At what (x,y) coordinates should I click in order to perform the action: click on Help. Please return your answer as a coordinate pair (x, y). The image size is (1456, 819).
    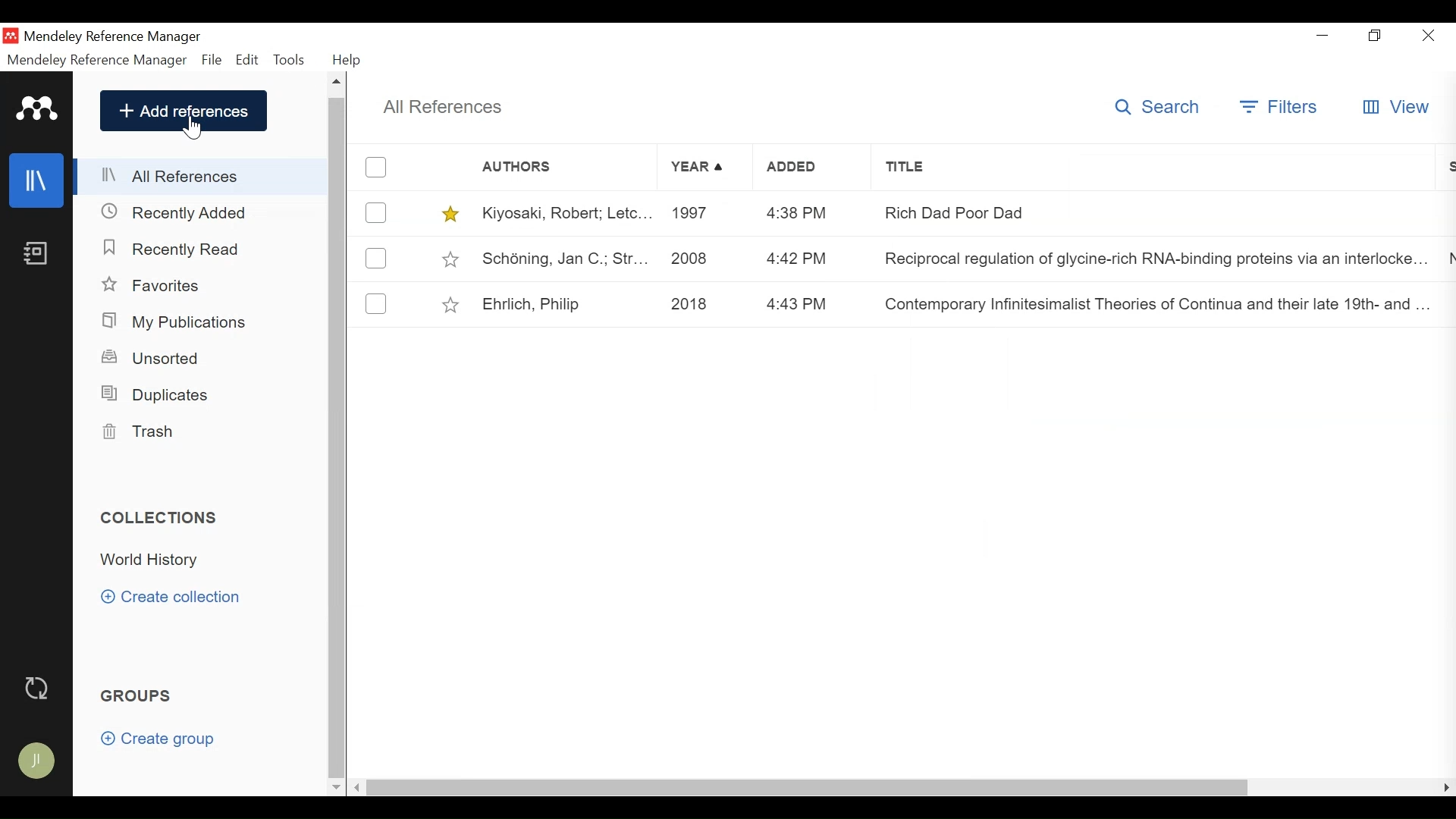
    Looking at the image, I should click on (351, 60).